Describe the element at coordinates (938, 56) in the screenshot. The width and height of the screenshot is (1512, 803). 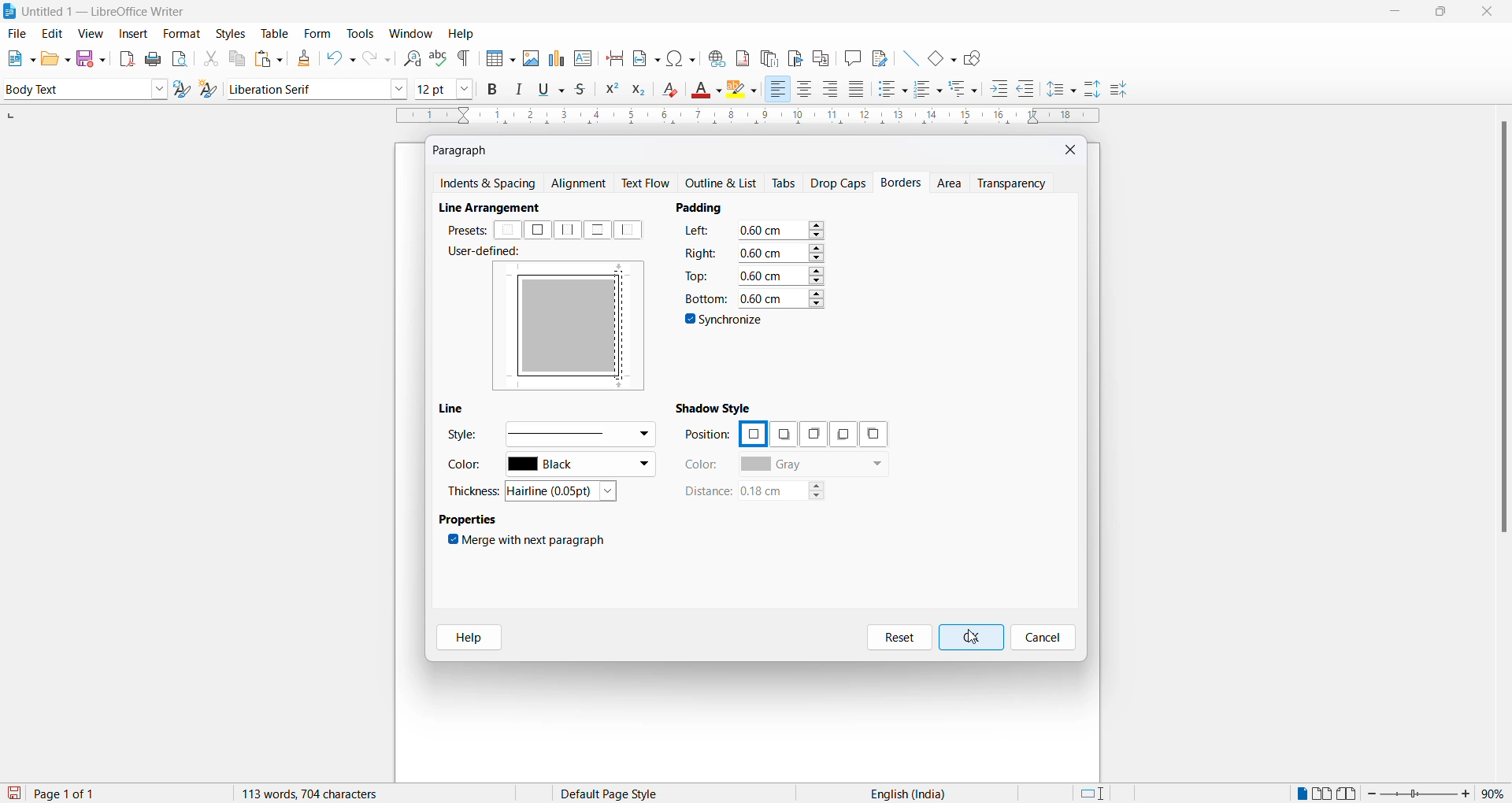
I see `basic shapes` at that location.